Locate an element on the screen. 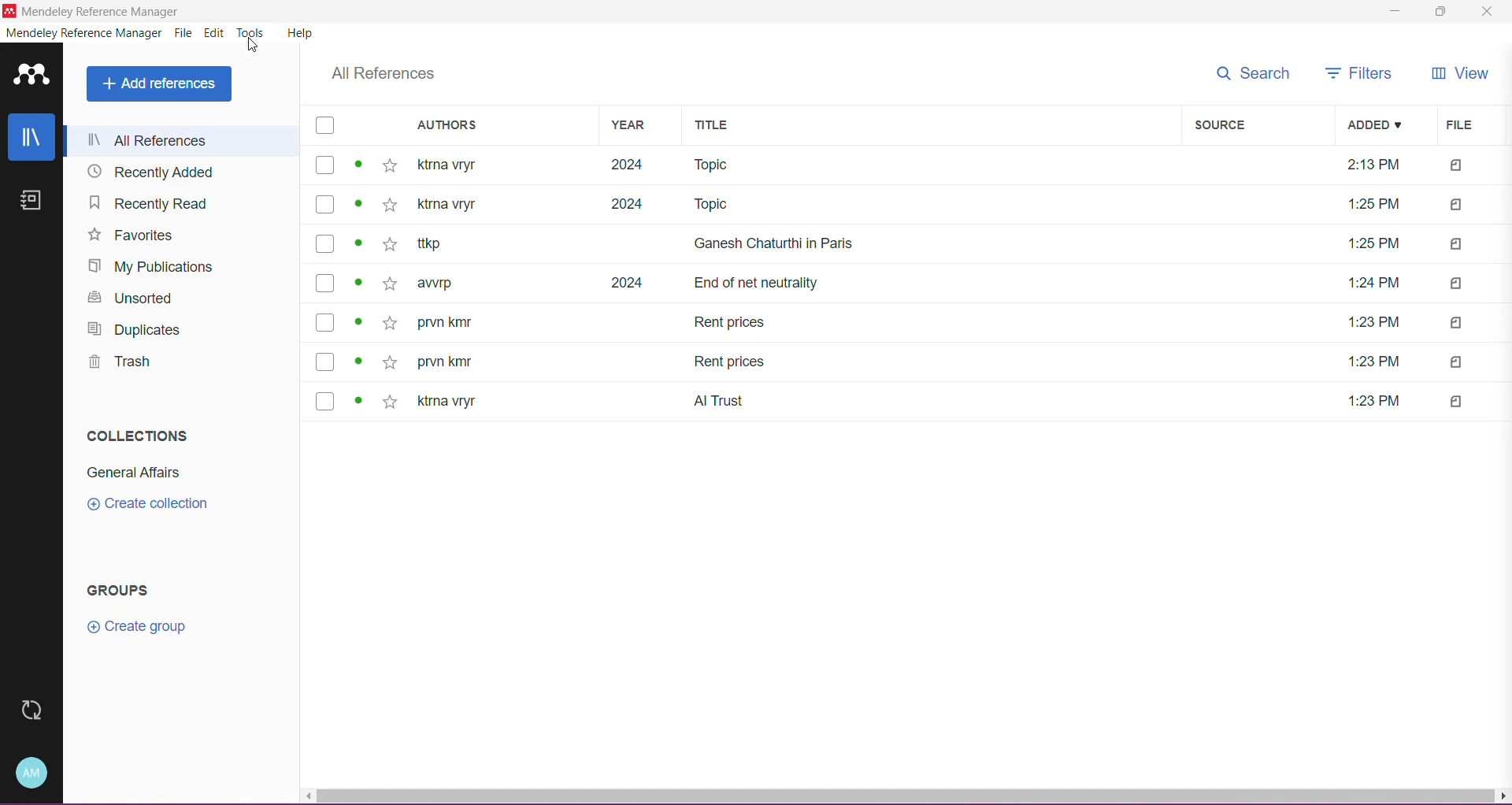 Image resolution: width=1512 pixels, height=805 pixels. file is located at coordinates (1371, 323).